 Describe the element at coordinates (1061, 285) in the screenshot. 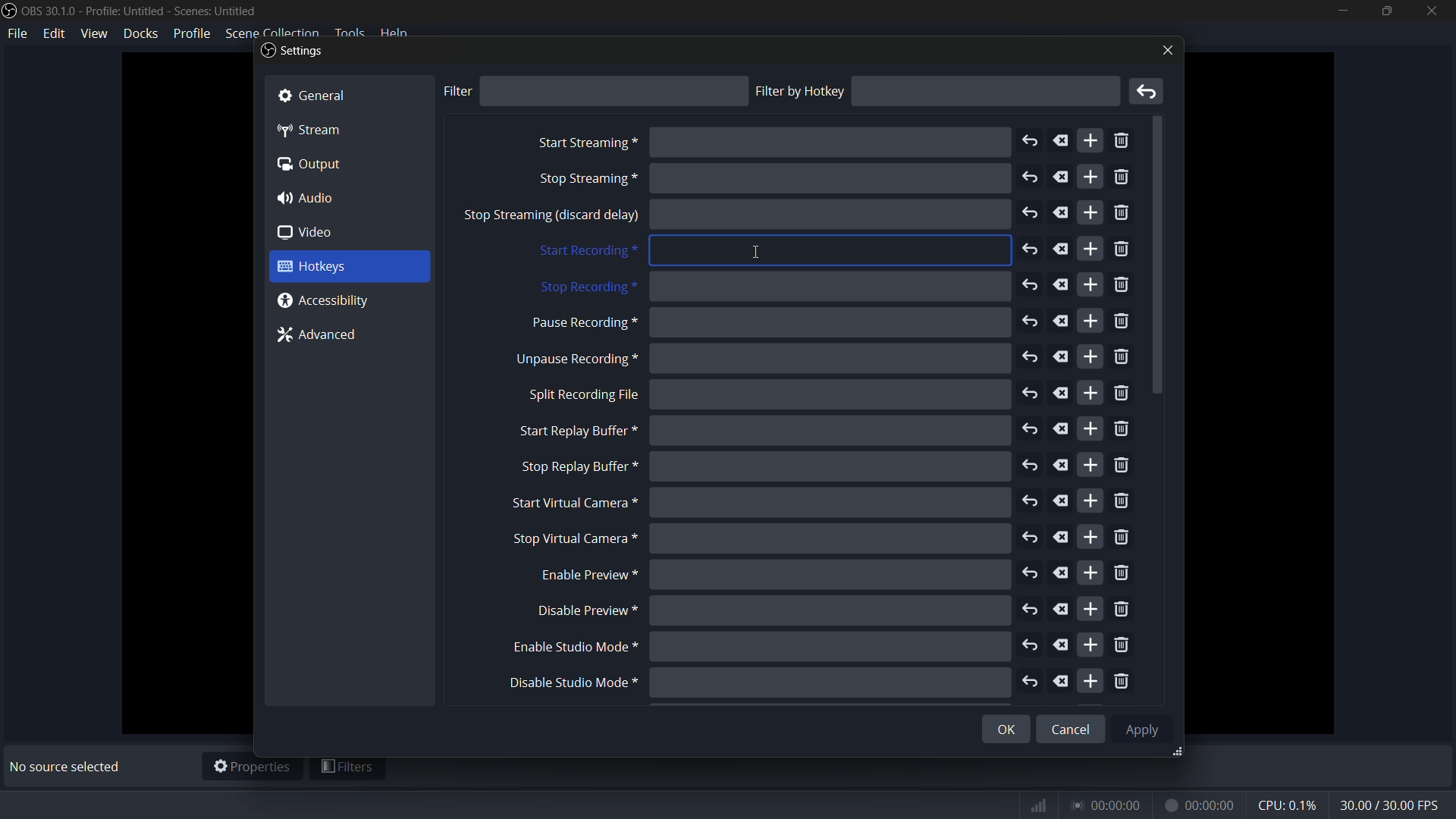

I see `delete` at that location.